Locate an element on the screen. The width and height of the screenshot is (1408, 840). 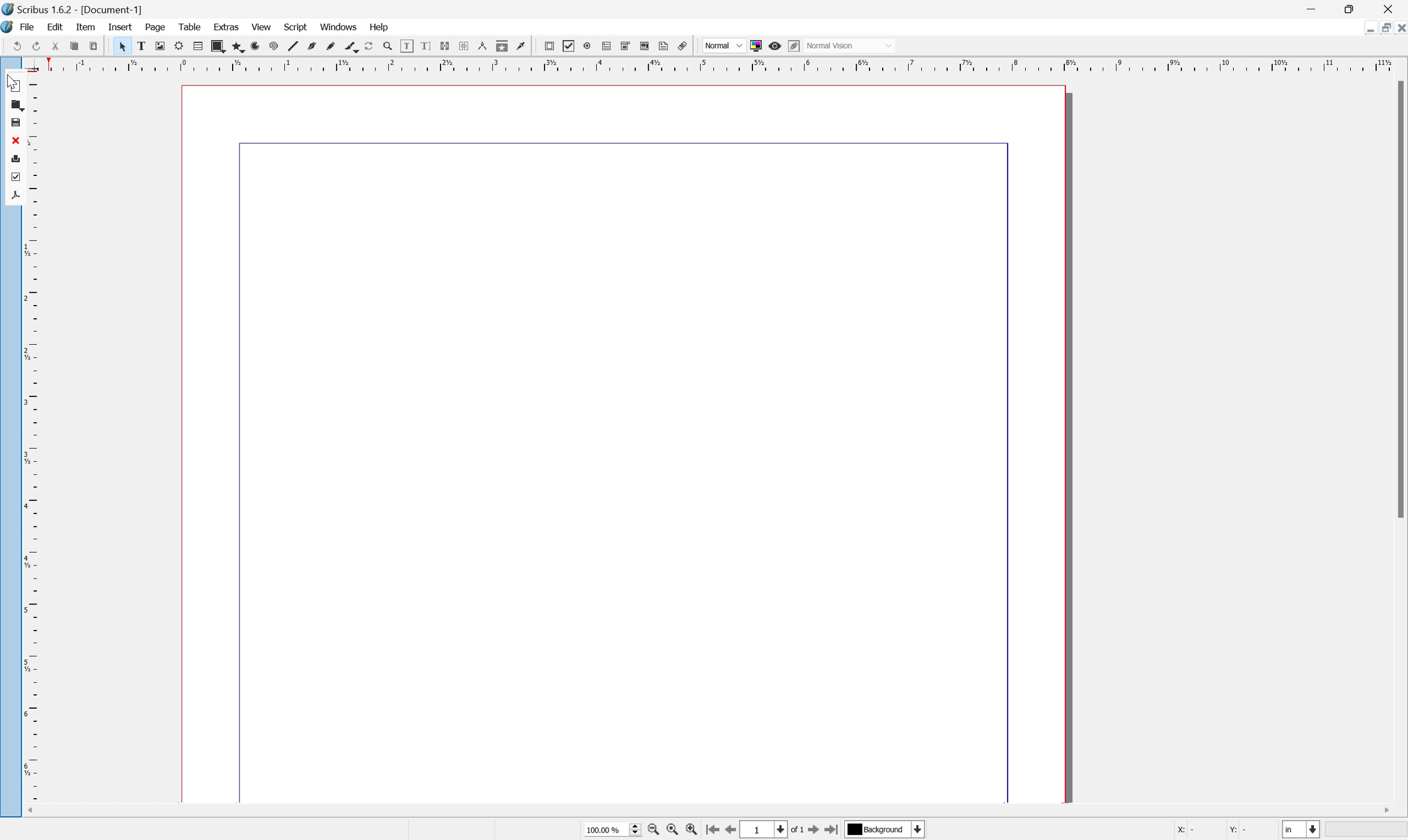
save is located at coordinates (54, 45).